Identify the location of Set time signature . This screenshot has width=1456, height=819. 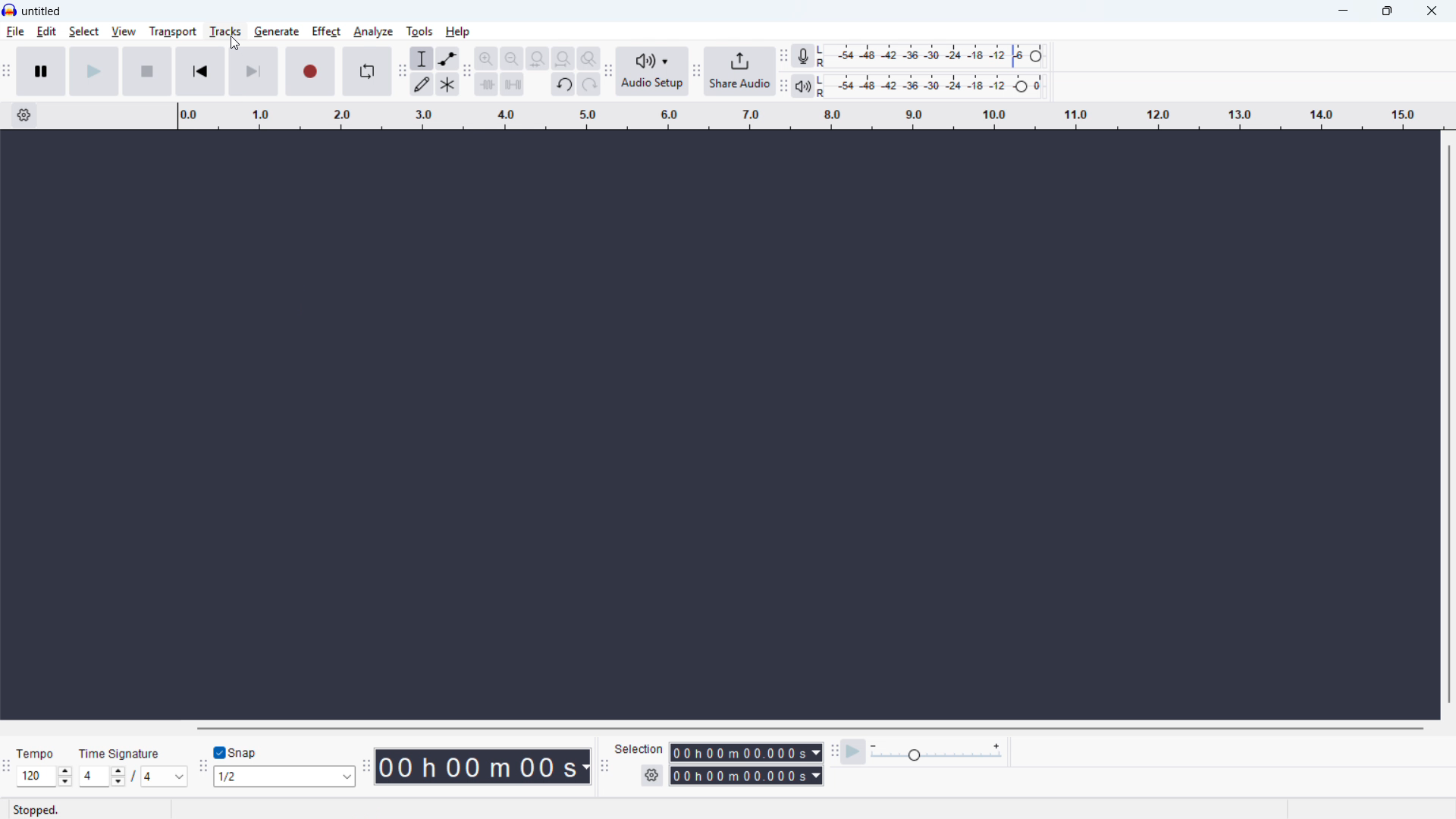
(132, 777).